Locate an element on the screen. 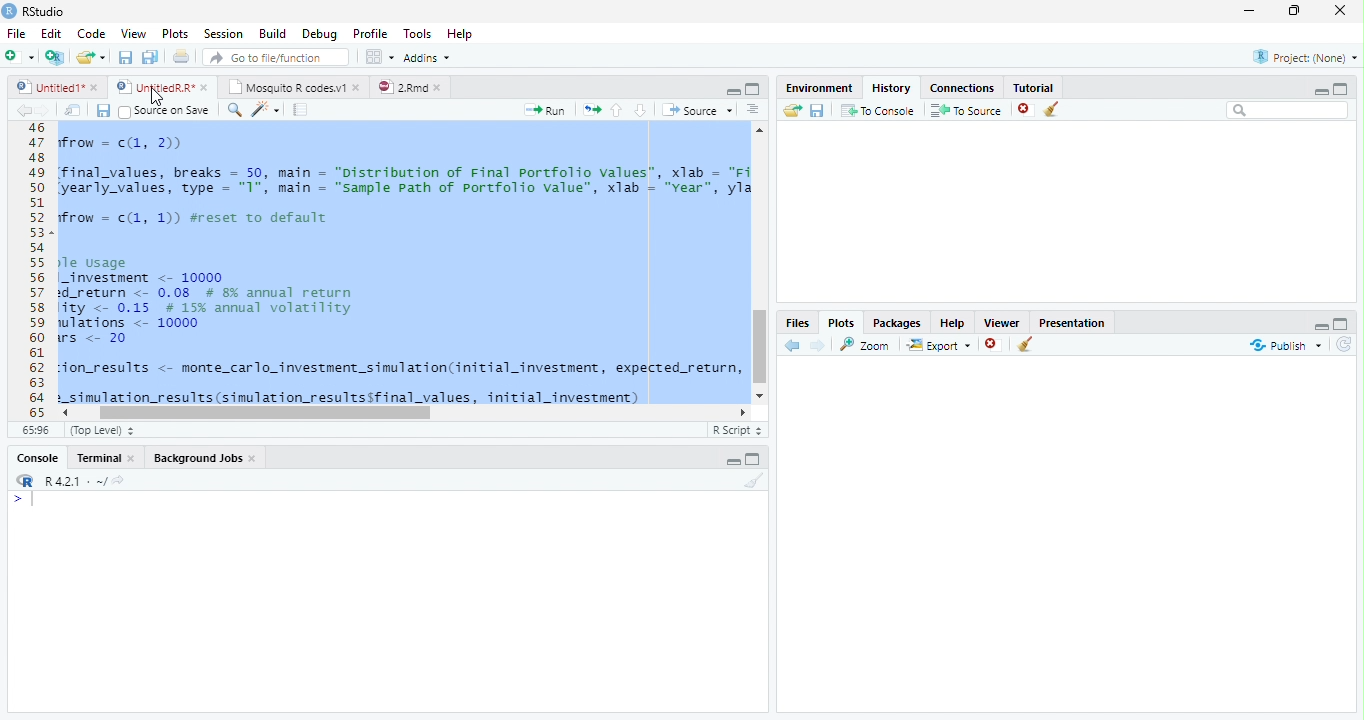 This screenshot has height=720, width=1364. Close is located at coordinates (1342, 12).